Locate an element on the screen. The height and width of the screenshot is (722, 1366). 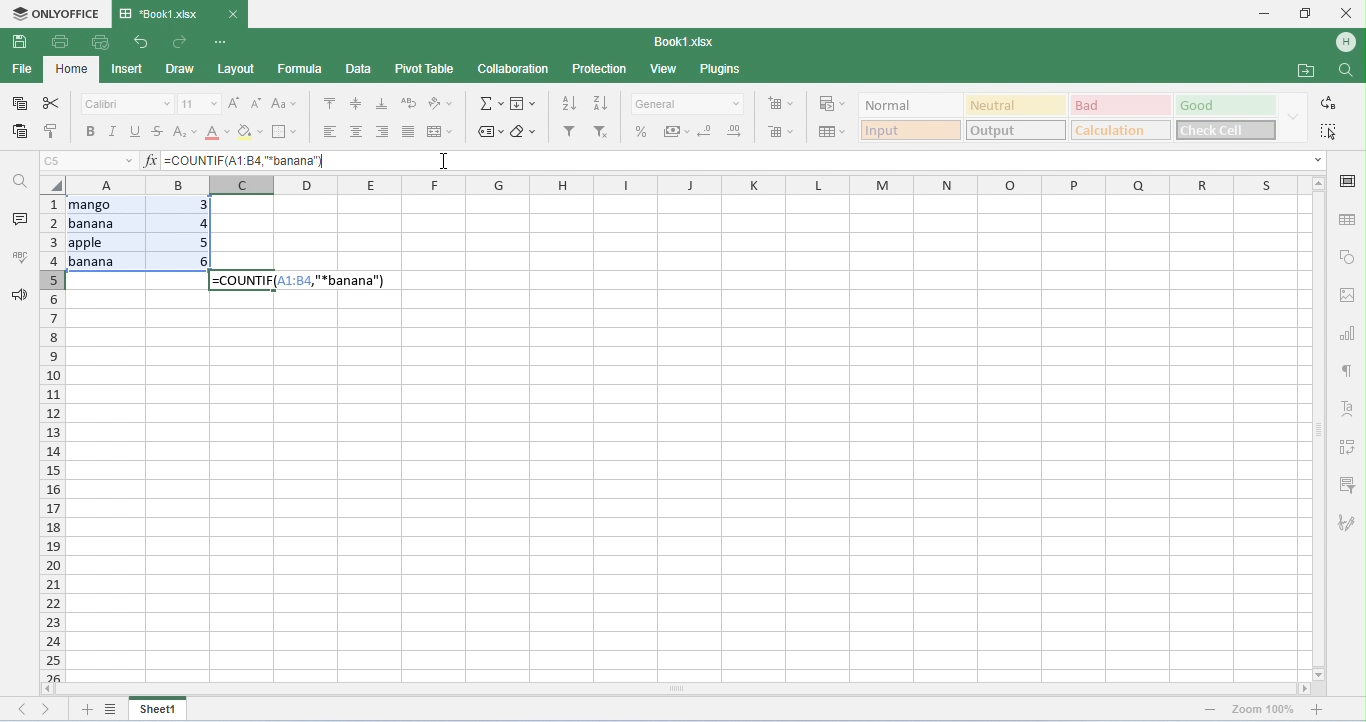
remove filter is located at coordinates (604, 133).